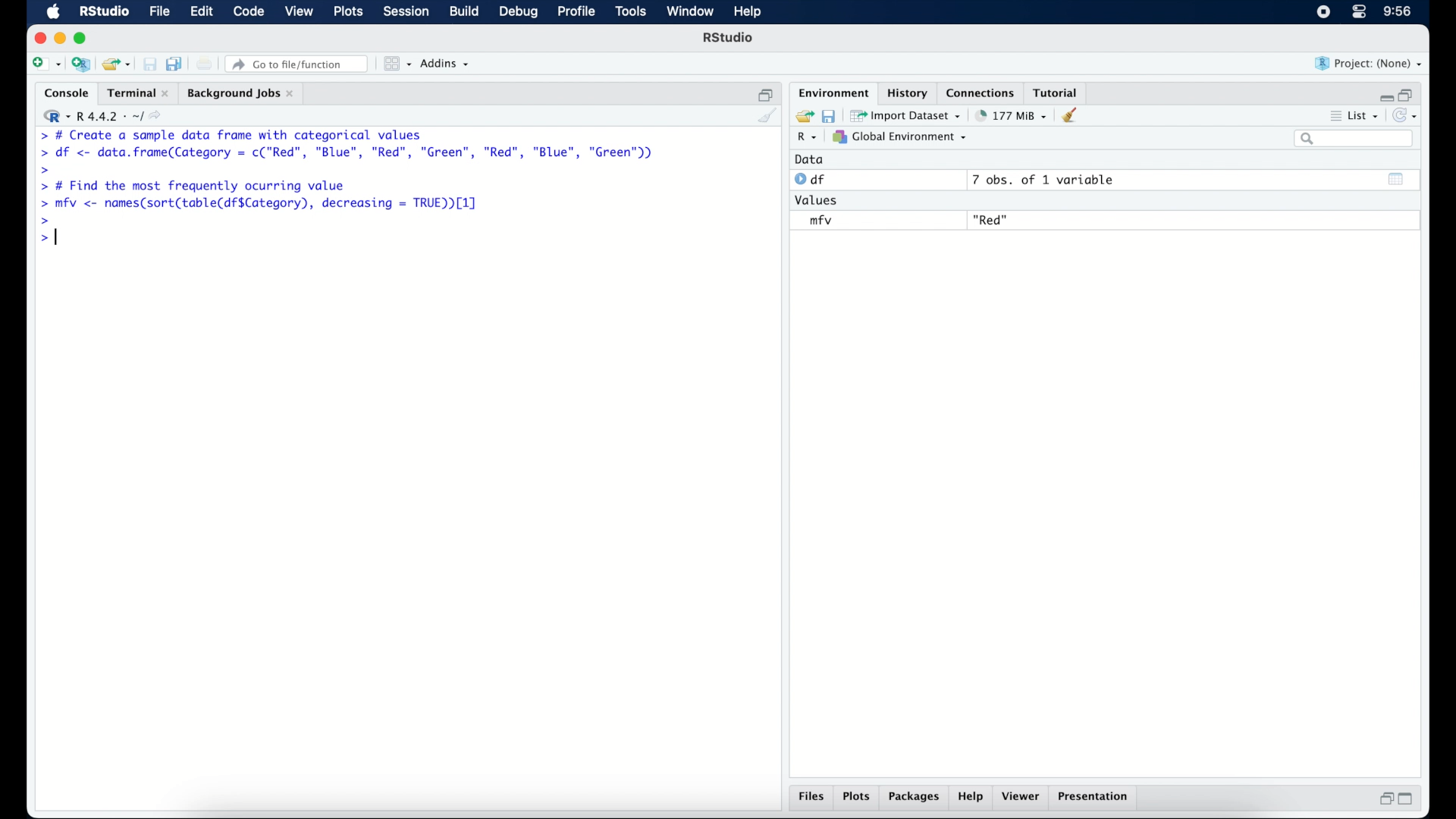 The image size is (1456, 819). What do you see at coordinates (1407, 801) in the screenshot?
I see `maximize` at bounding box center [1407, 801].